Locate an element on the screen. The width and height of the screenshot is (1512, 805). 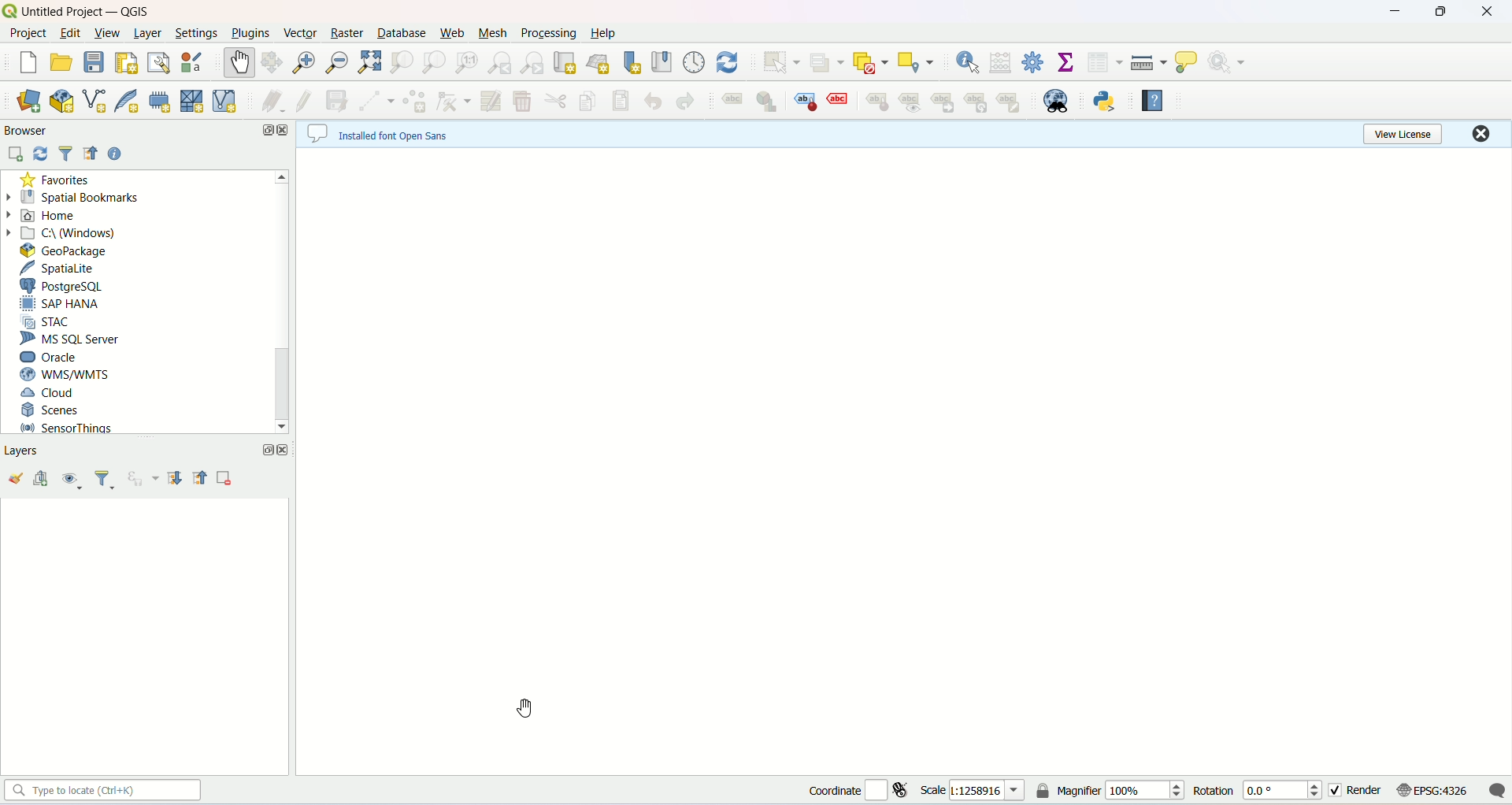
message is located at coordinates (1496, 792).